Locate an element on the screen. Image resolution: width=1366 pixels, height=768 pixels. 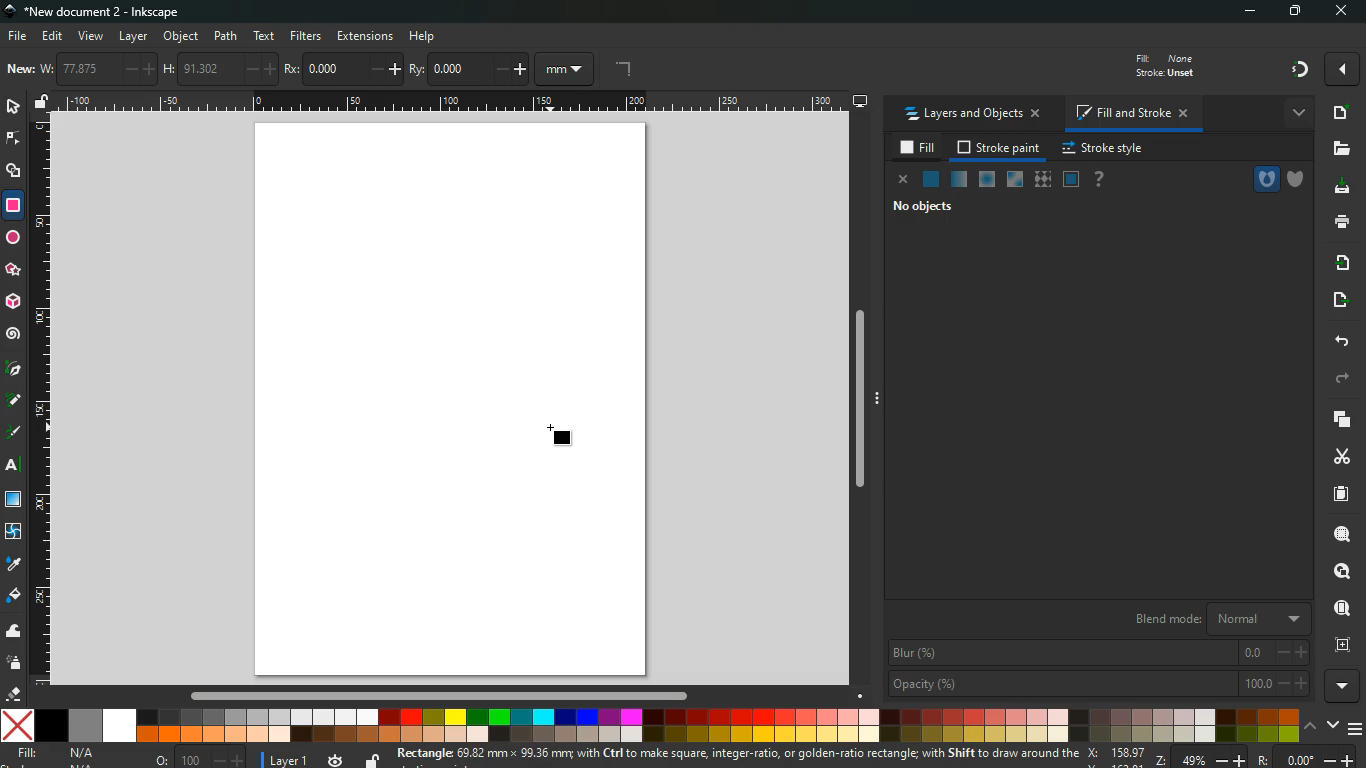
scroll bar is located at coordinates (434, 696).